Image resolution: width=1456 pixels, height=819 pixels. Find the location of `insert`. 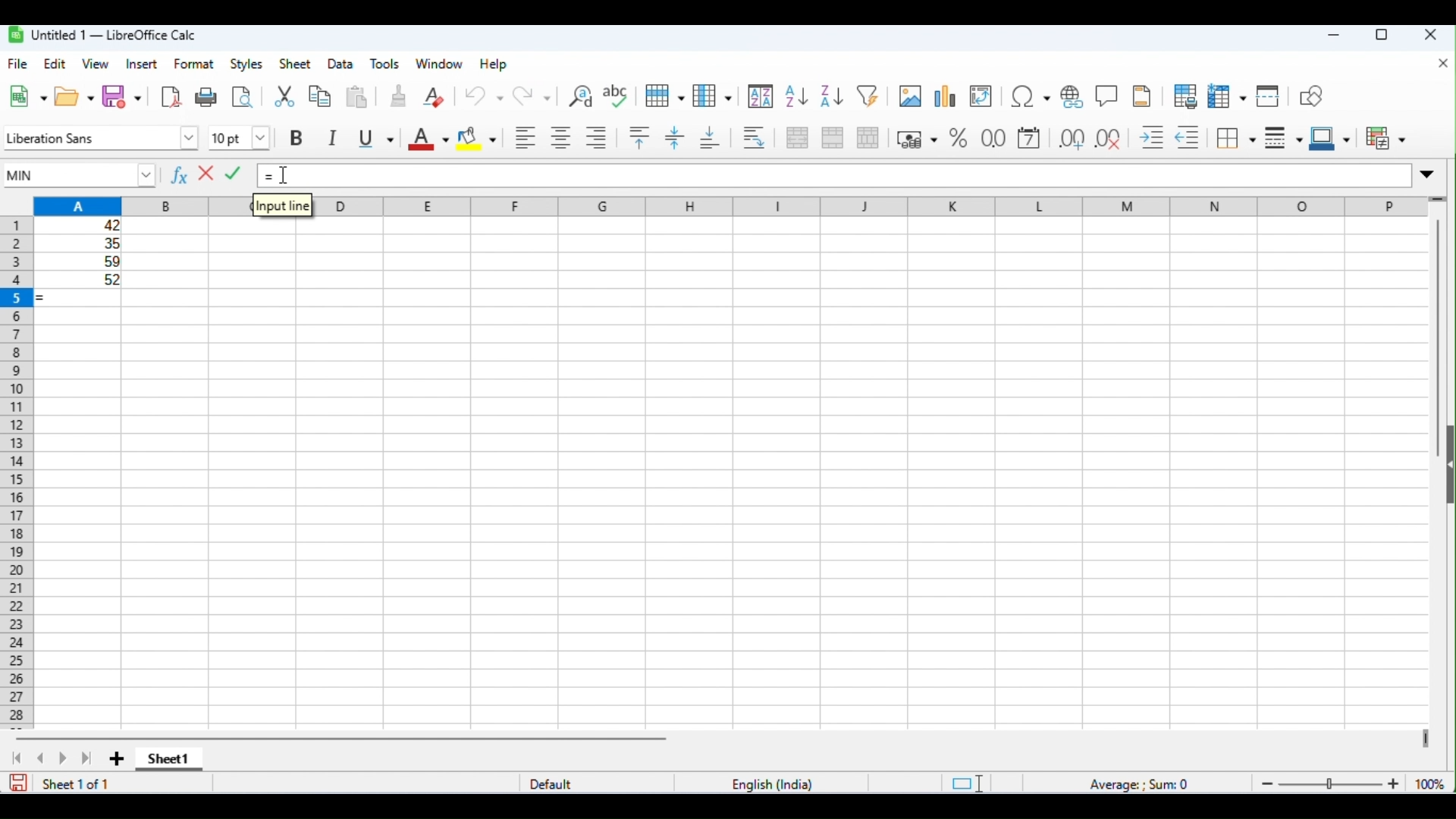

insert is located at coordinates (141, 64).